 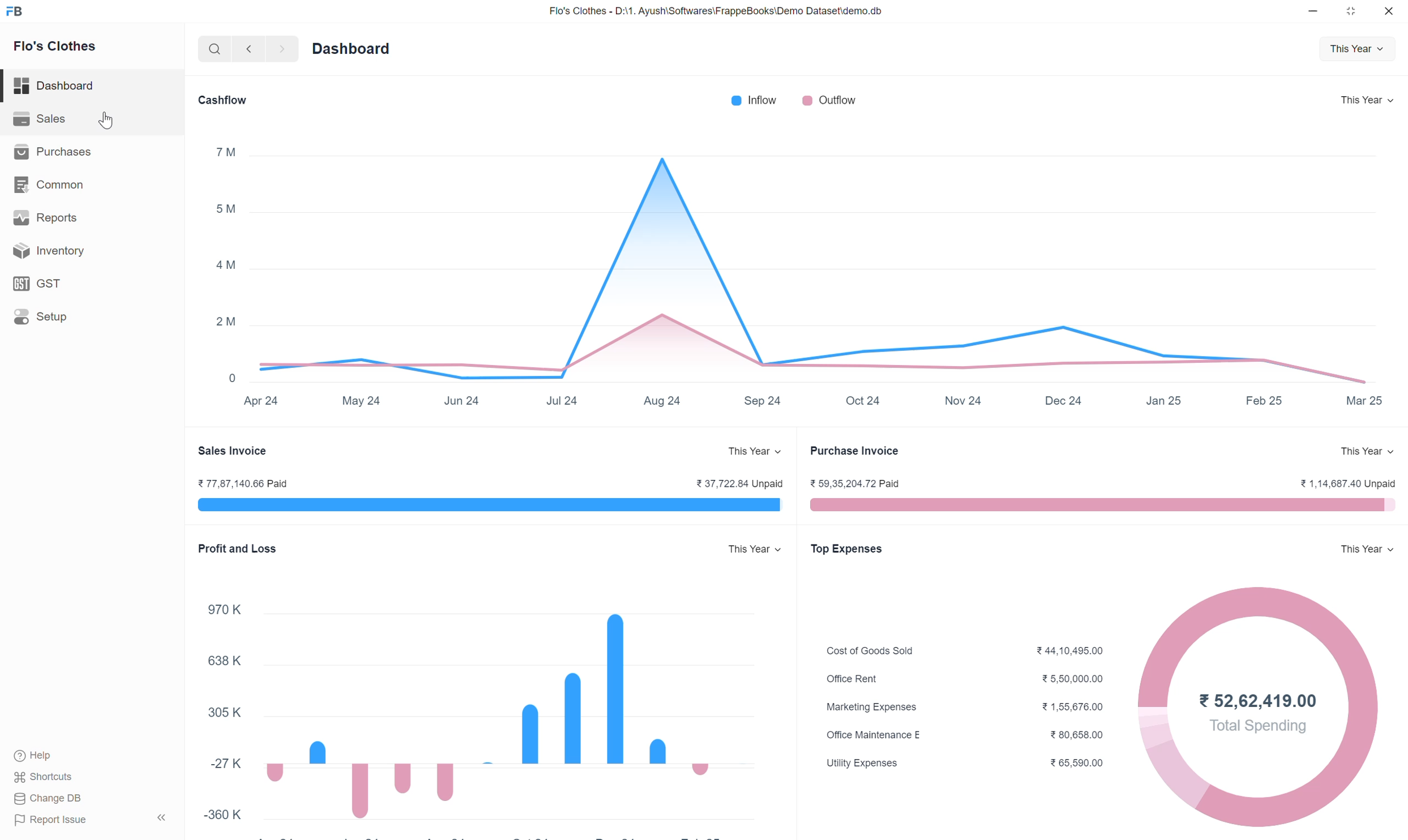 I want to click on select graph timeframe, so click(x=1358, y=51).